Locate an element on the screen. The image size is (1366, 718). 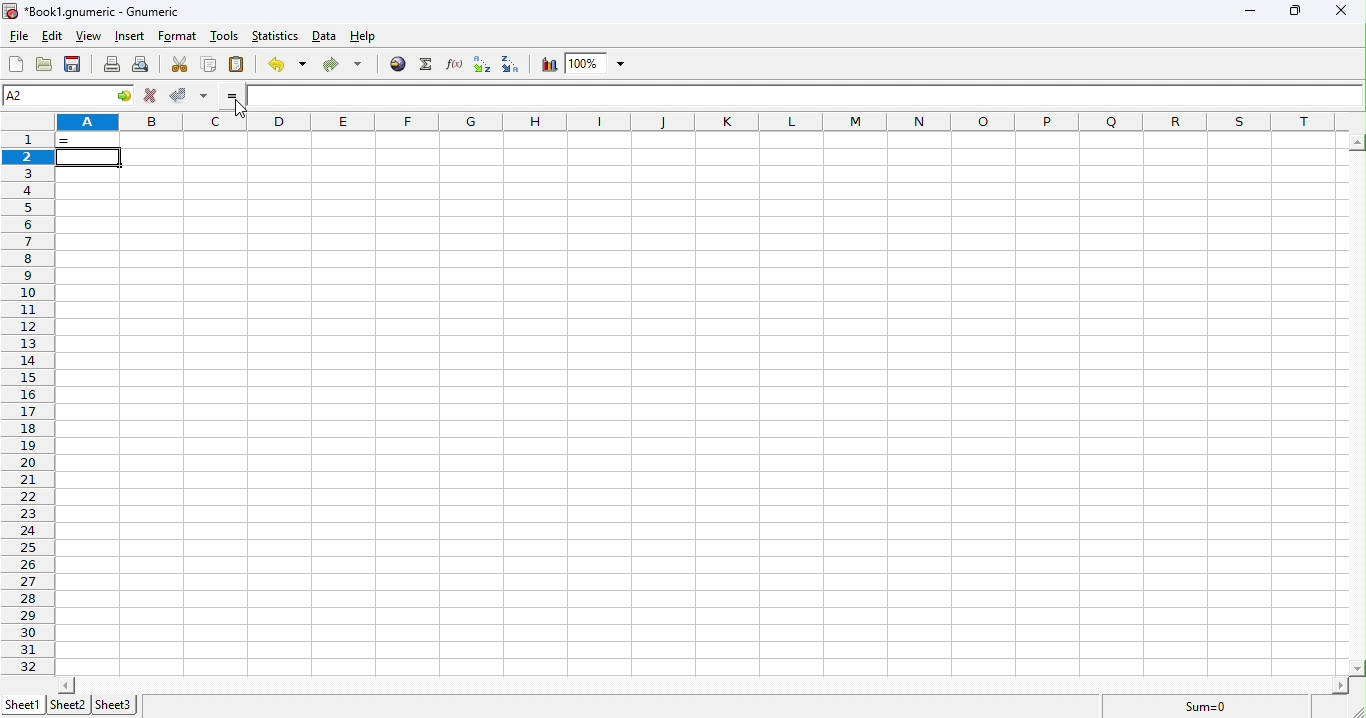
formula bar is located at coordinates (824, 96).